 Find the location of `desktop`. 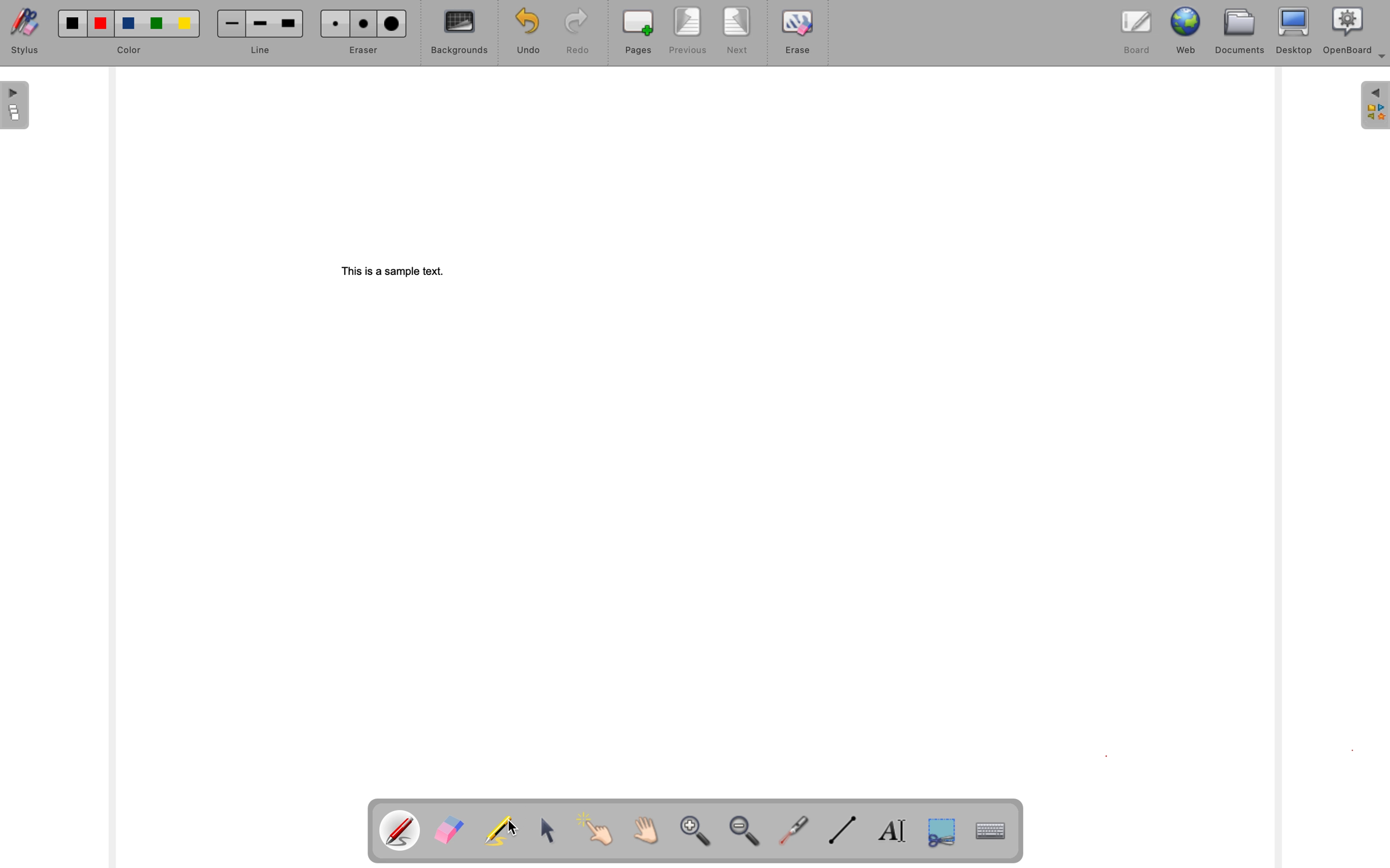

desktop is located at coordinates (1295, 31).